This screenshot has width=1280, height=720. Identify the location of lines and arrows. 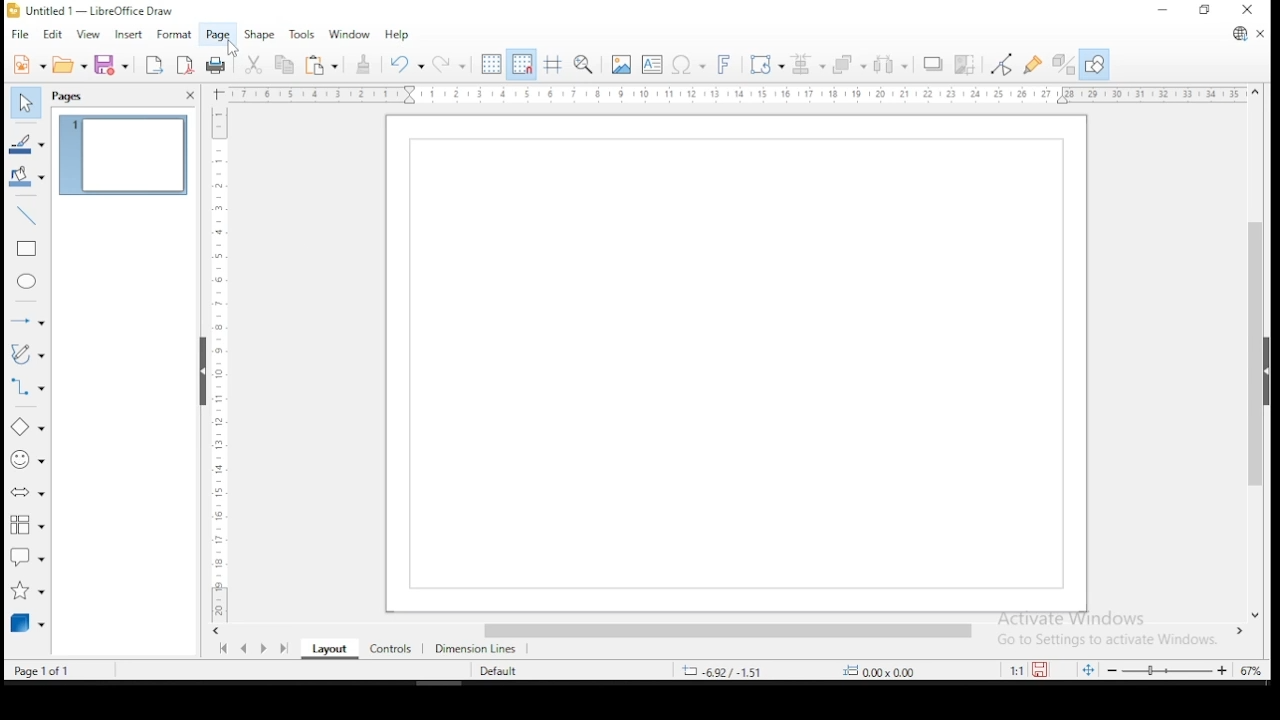
(27, 318).